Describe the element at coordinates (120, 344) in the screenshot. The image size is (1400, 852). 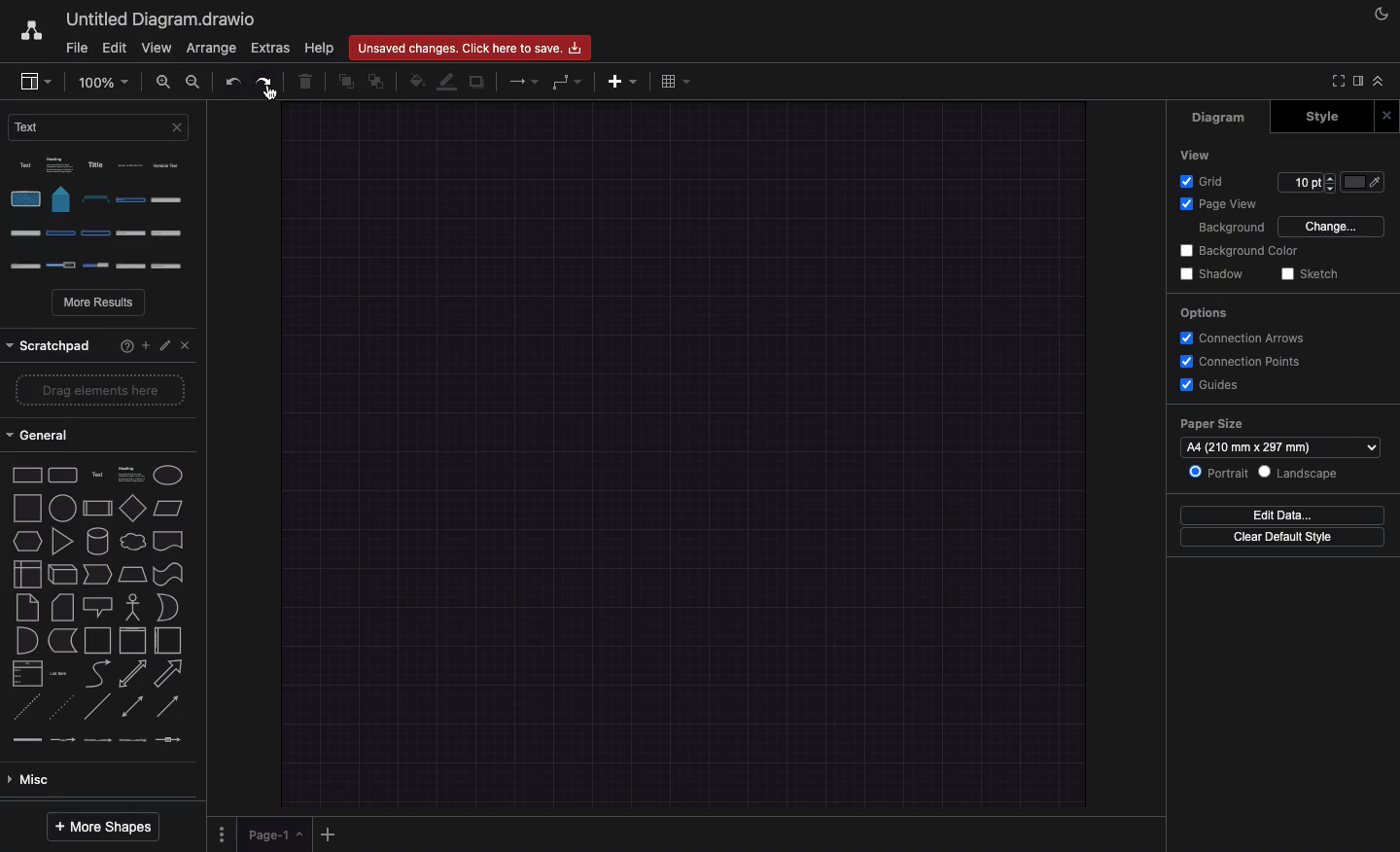
I see `Help` at that location.